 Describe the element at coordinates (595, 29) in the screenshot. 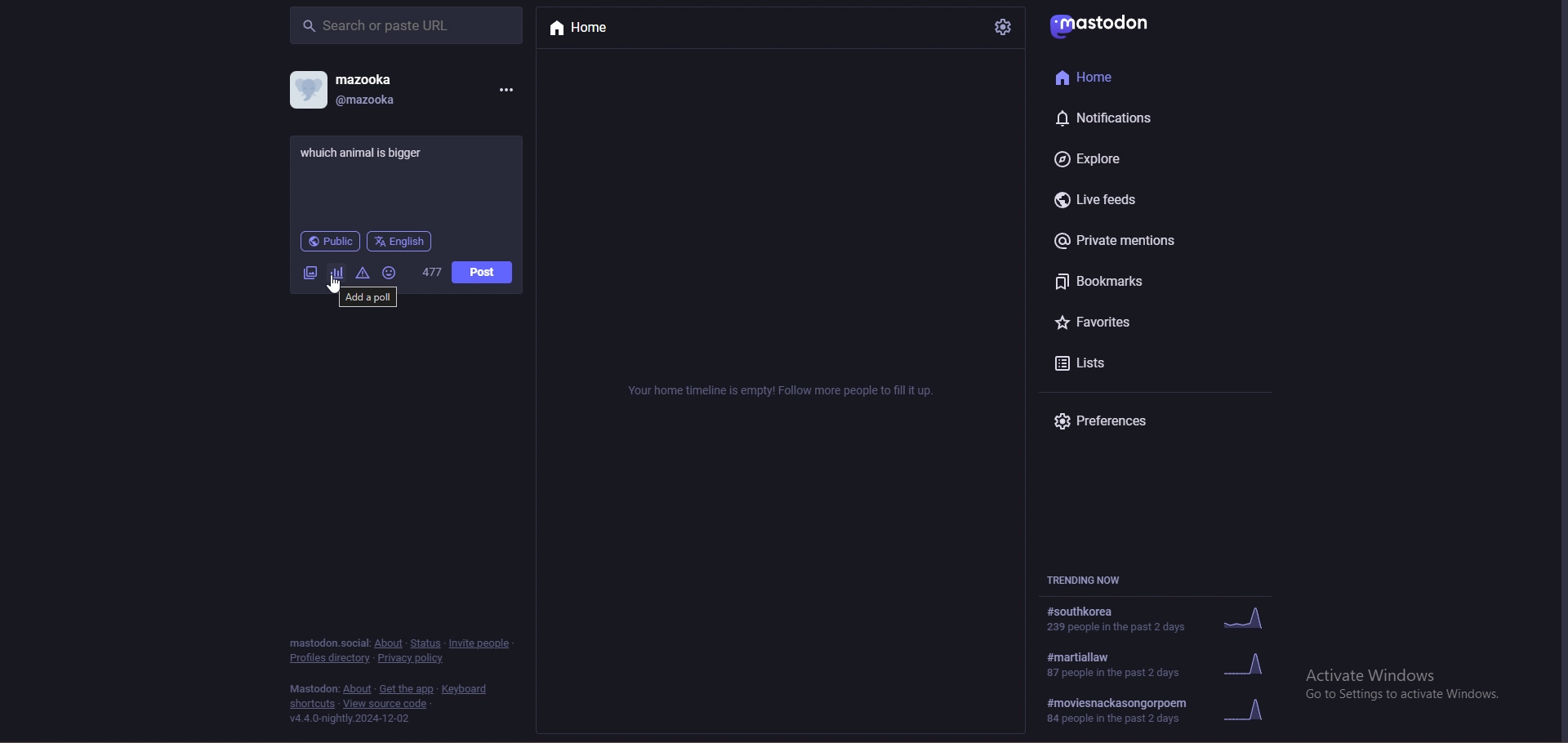

I see `home` at that location.